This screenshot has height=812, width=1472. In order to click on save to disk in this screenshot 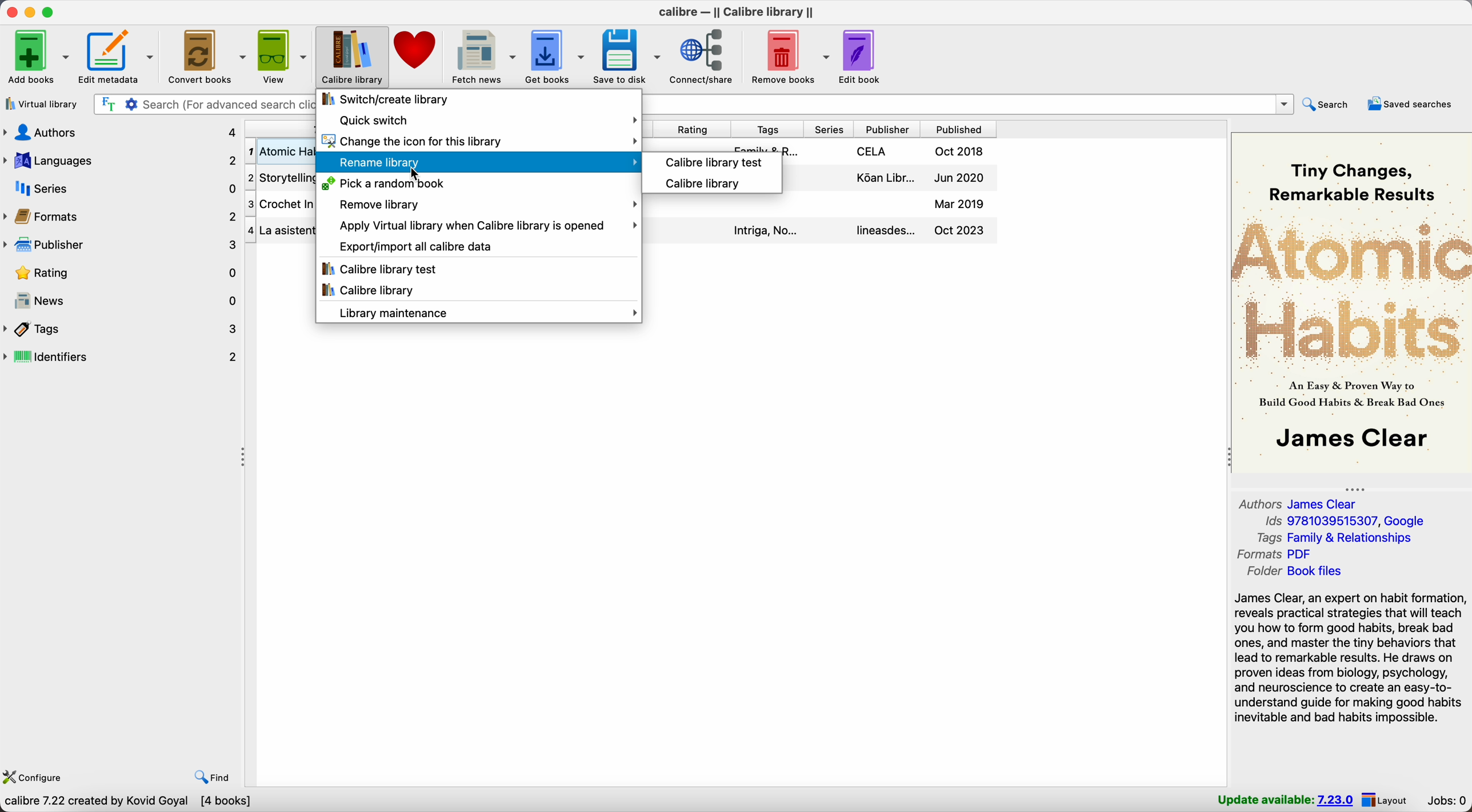, I will do `click(627, 56)`.